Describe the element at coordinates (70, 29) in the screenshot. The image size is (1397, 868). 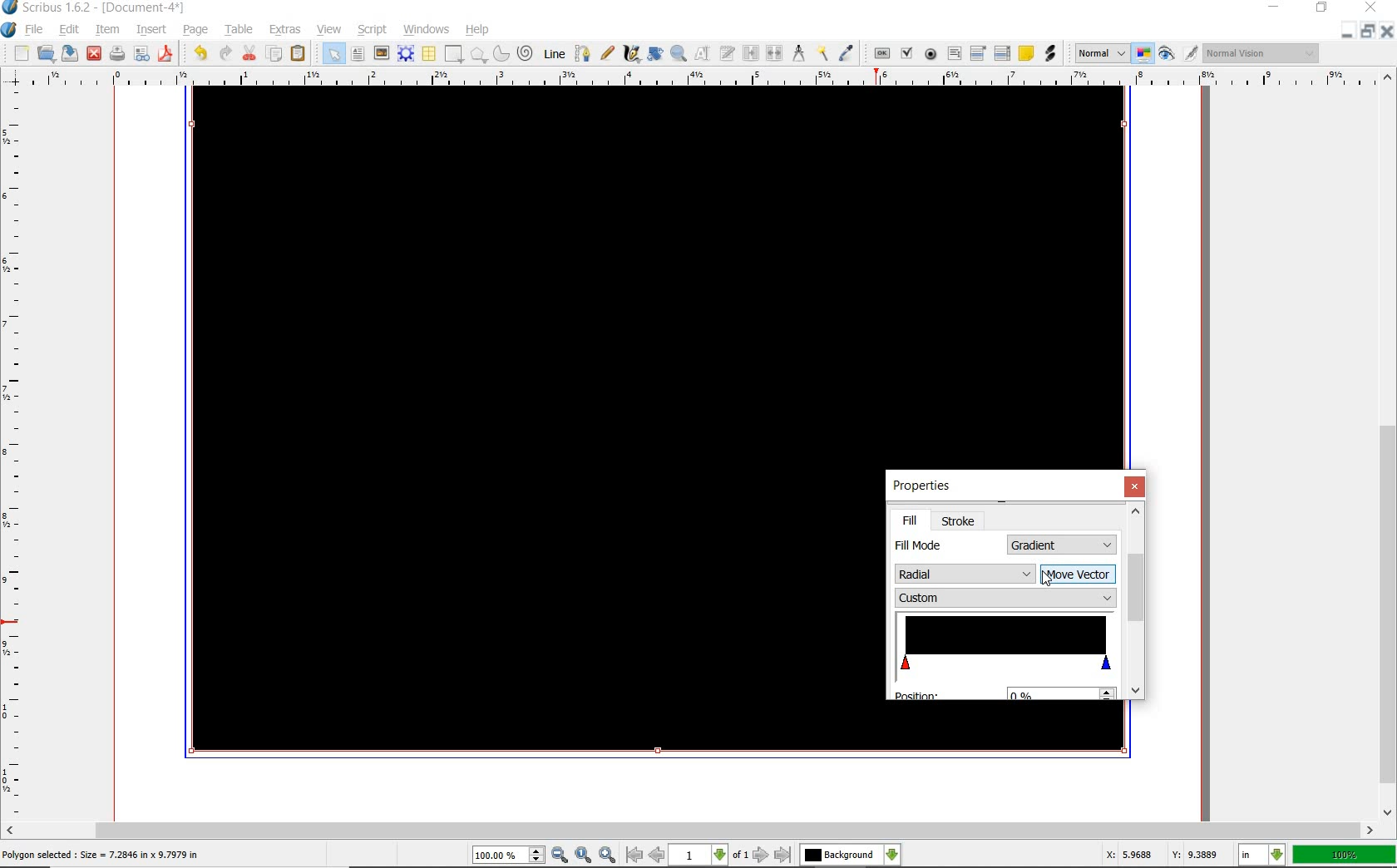
I see `edit` at that location.